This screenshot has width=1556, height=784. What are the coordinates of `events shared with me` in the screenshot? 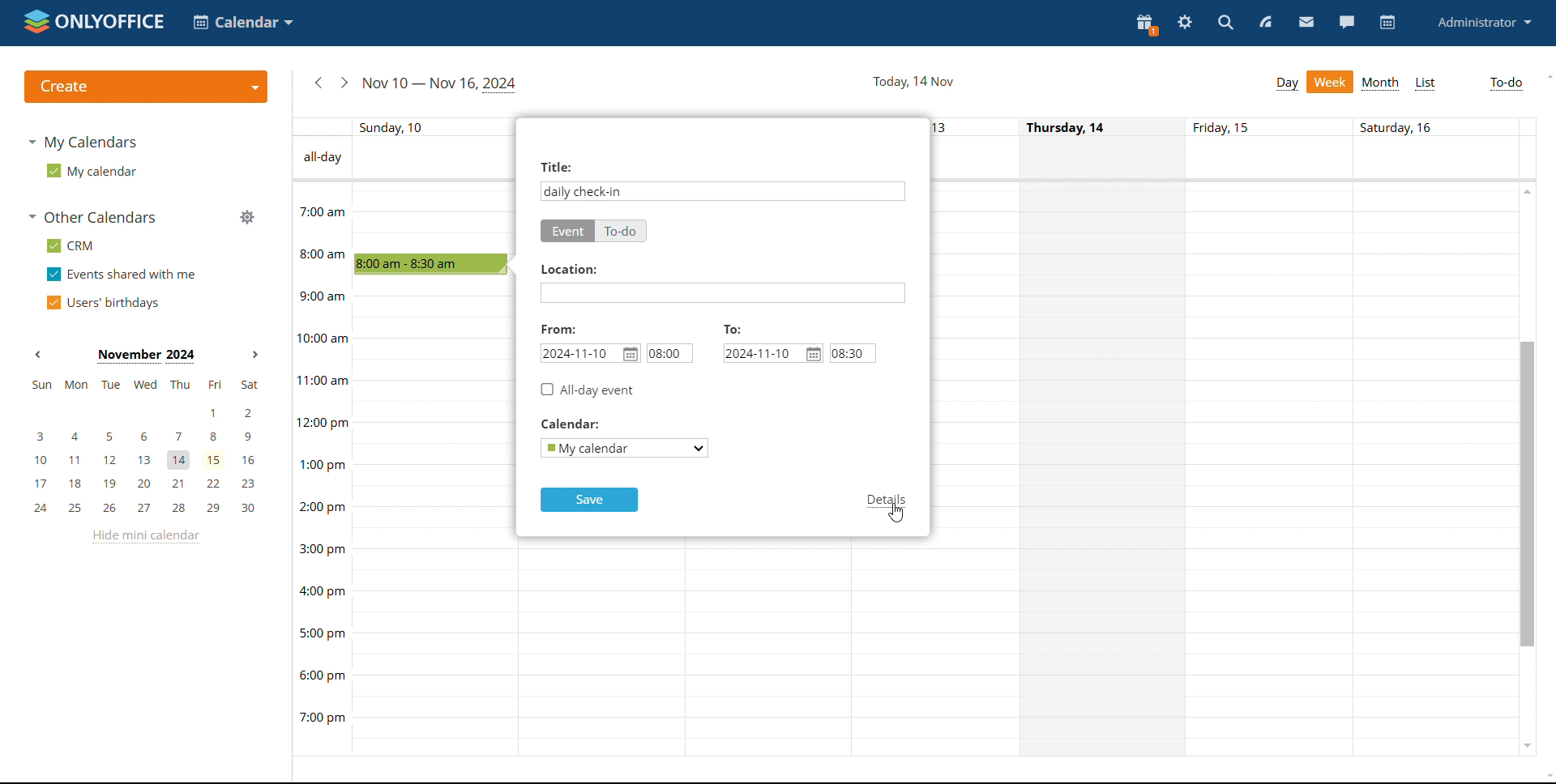 It's located at (122, 275).